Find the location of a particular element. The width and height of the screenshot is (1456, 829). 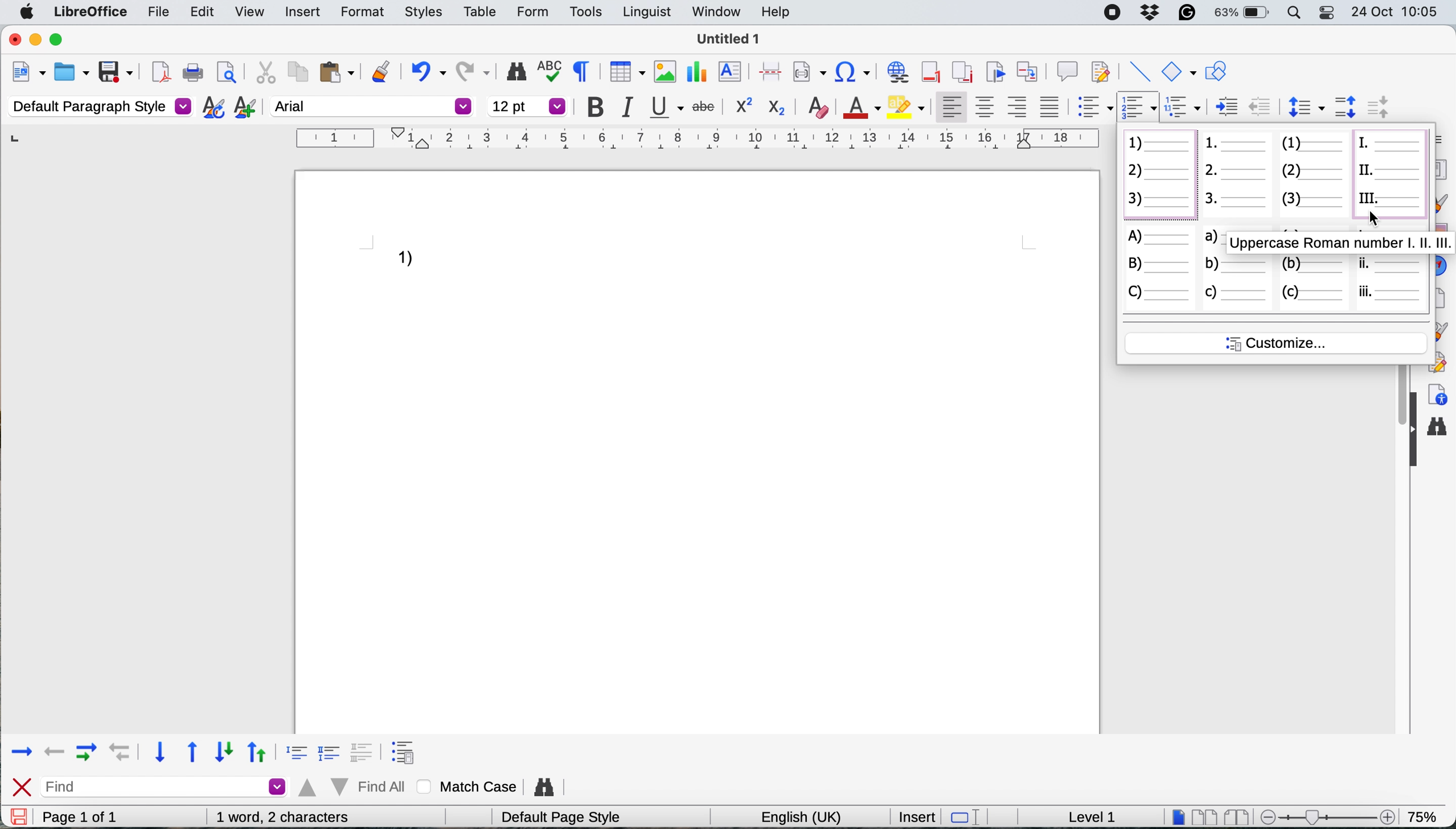

redo is located at coordinates (474, 68).